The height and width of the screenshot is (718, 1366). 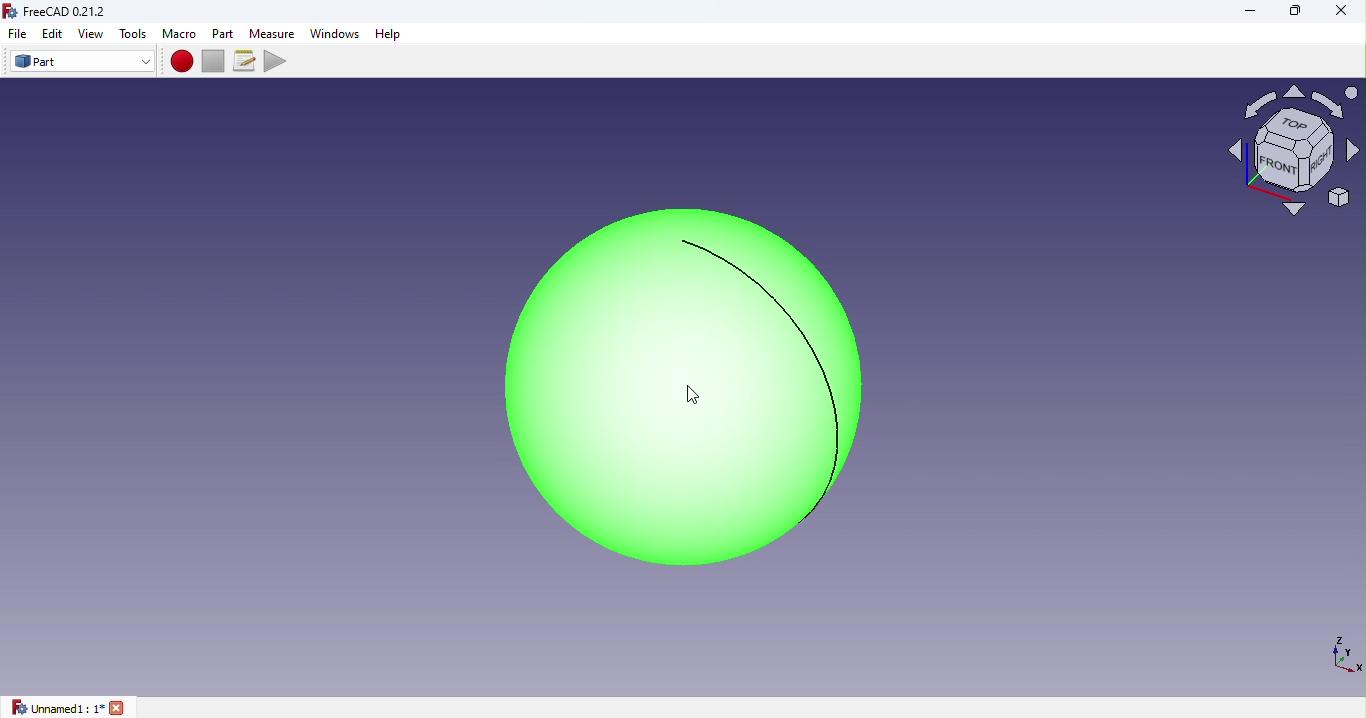 What do you see at coordinates (278, 60) in the screenshot?
I see `Execute Macros` at bounding box center [278, 60].